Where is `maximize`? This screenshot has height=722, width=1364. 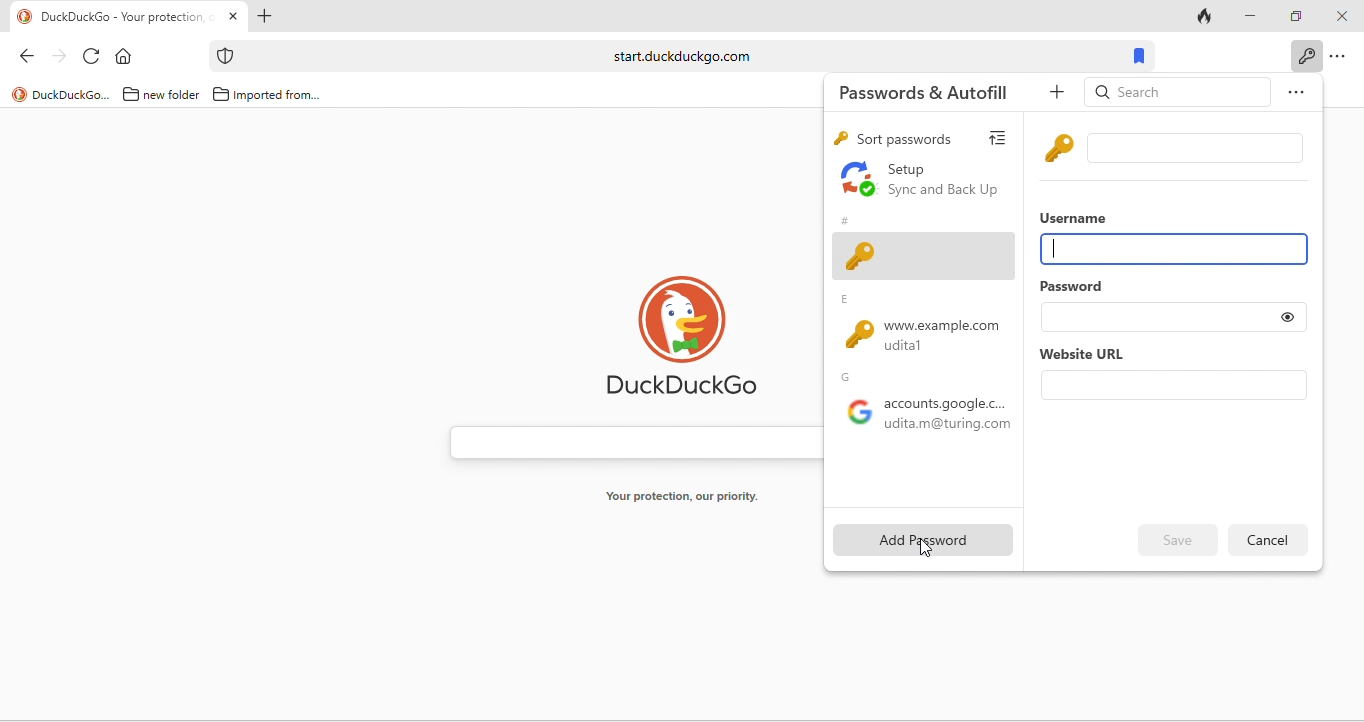 maximize is located at coordinates (1292, 14).